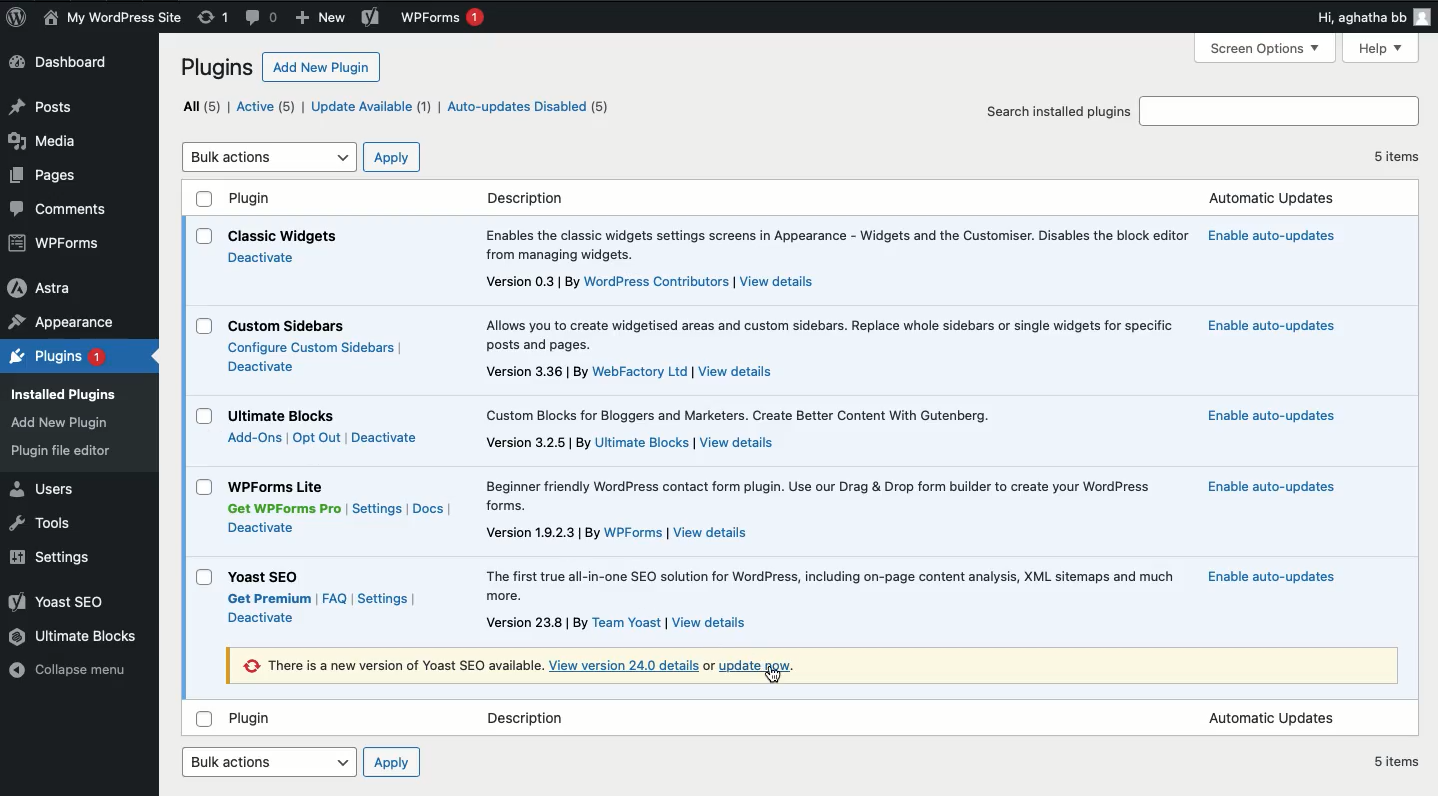  I want to click on Ultimate blocks, so click(75, 636).